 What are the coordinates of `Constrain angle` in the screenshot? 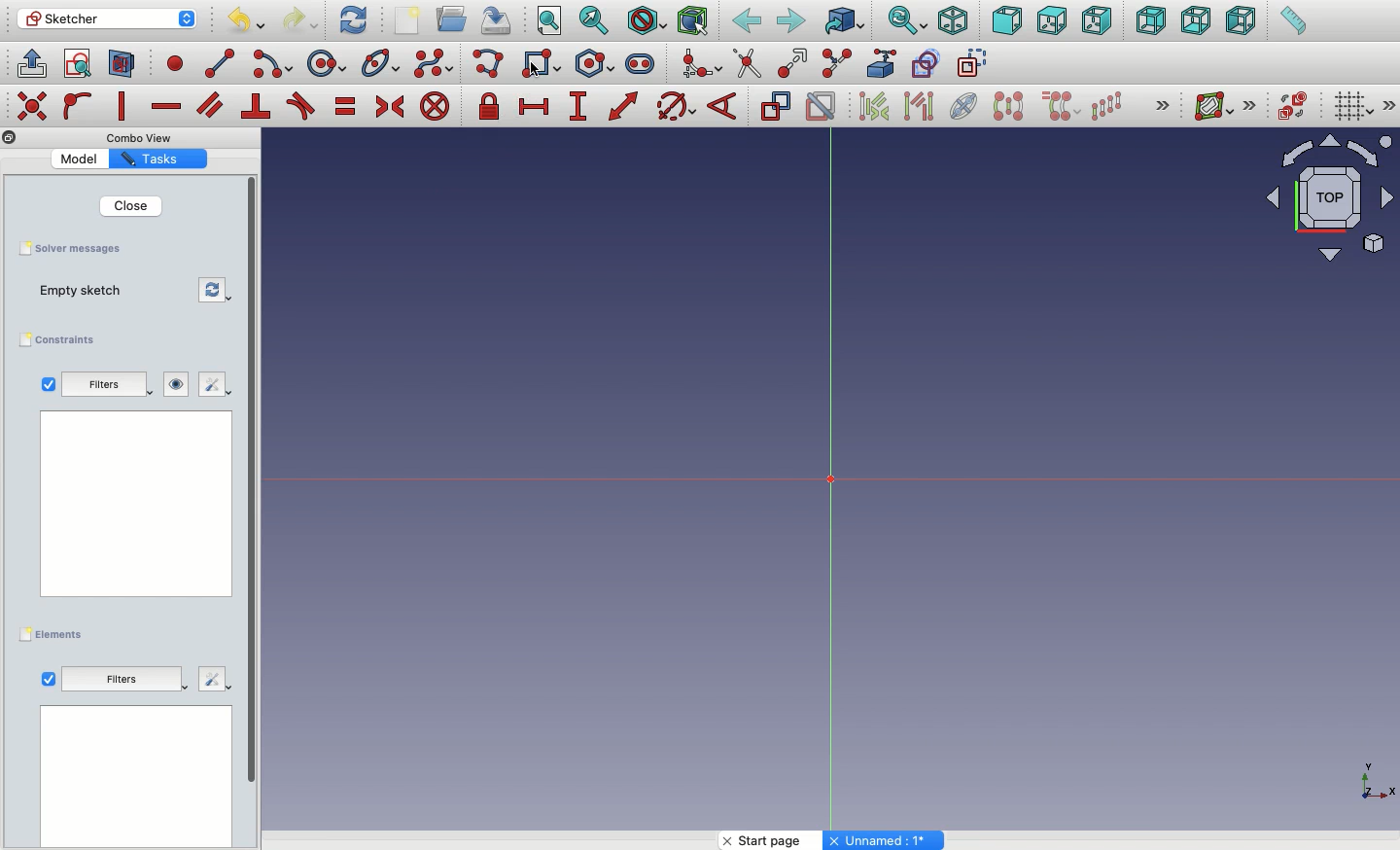 It's located at (722, 106).